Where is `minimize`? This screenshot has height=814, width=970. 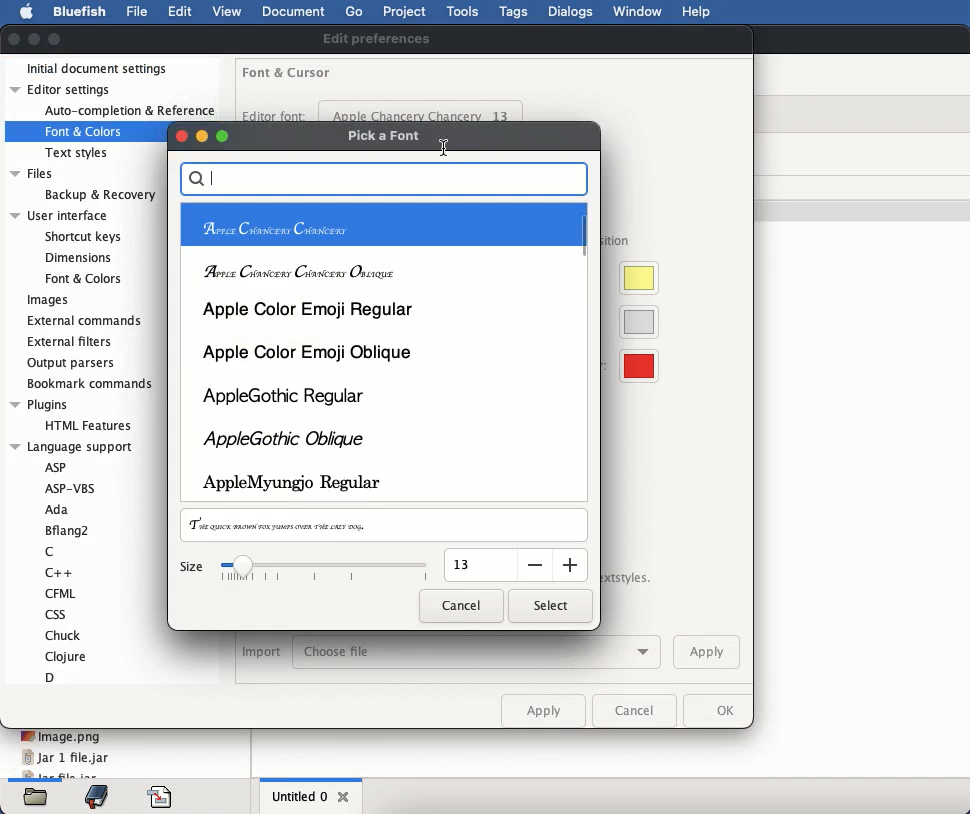 minimize is located at coordinates (34, 39).